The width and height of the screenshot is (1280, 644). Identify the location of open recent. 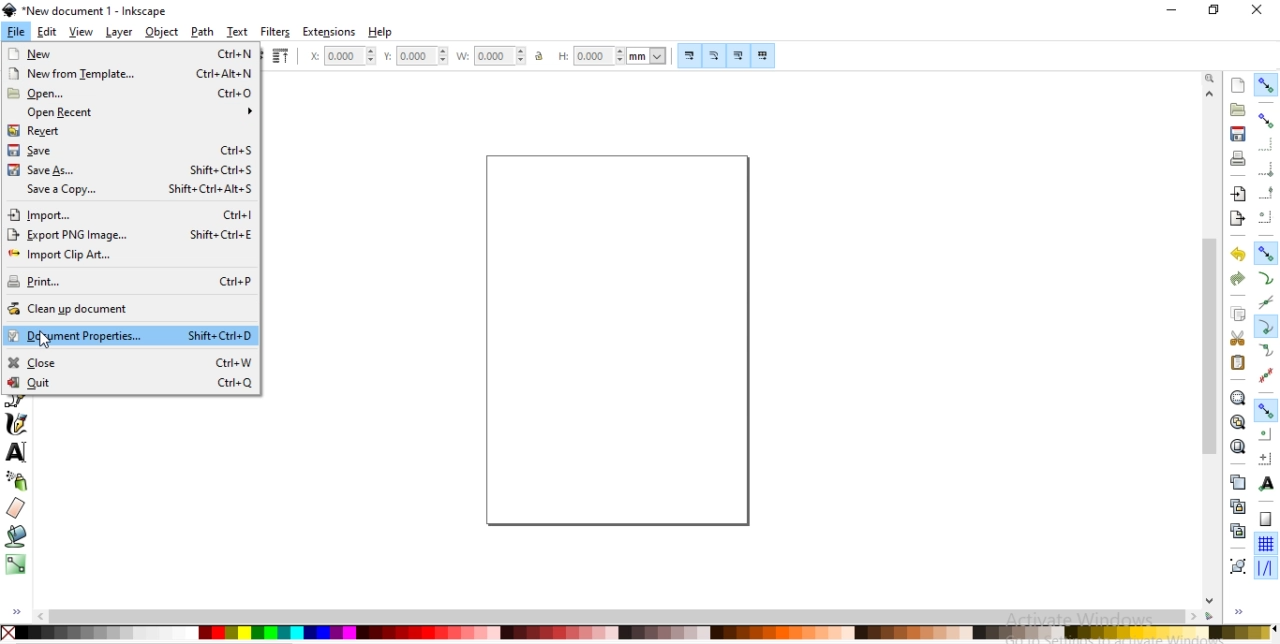
(133, 113).